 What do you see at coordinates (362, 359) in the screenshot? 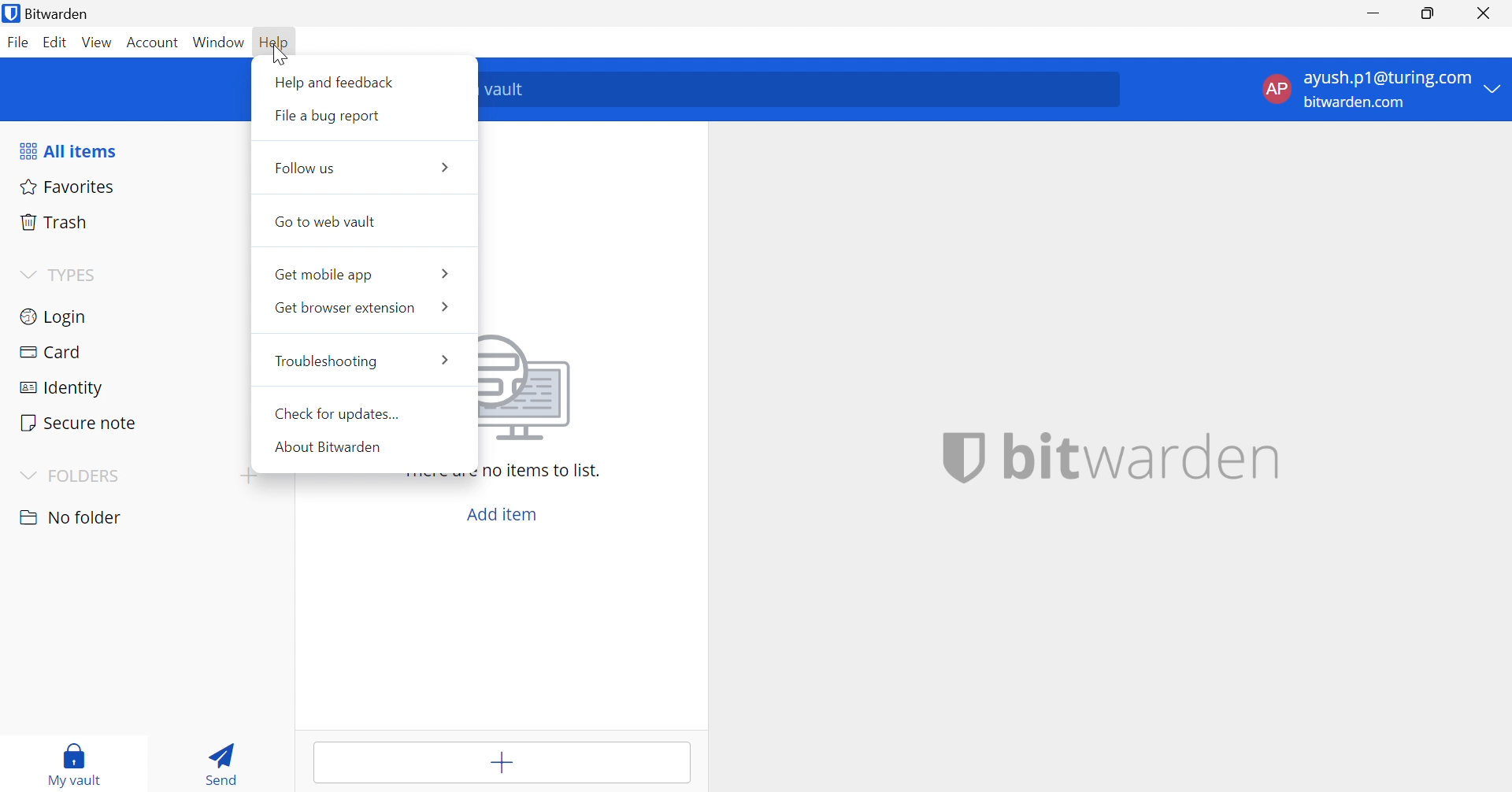
I see `Troubleshooting` at bounding box center [362, 359].